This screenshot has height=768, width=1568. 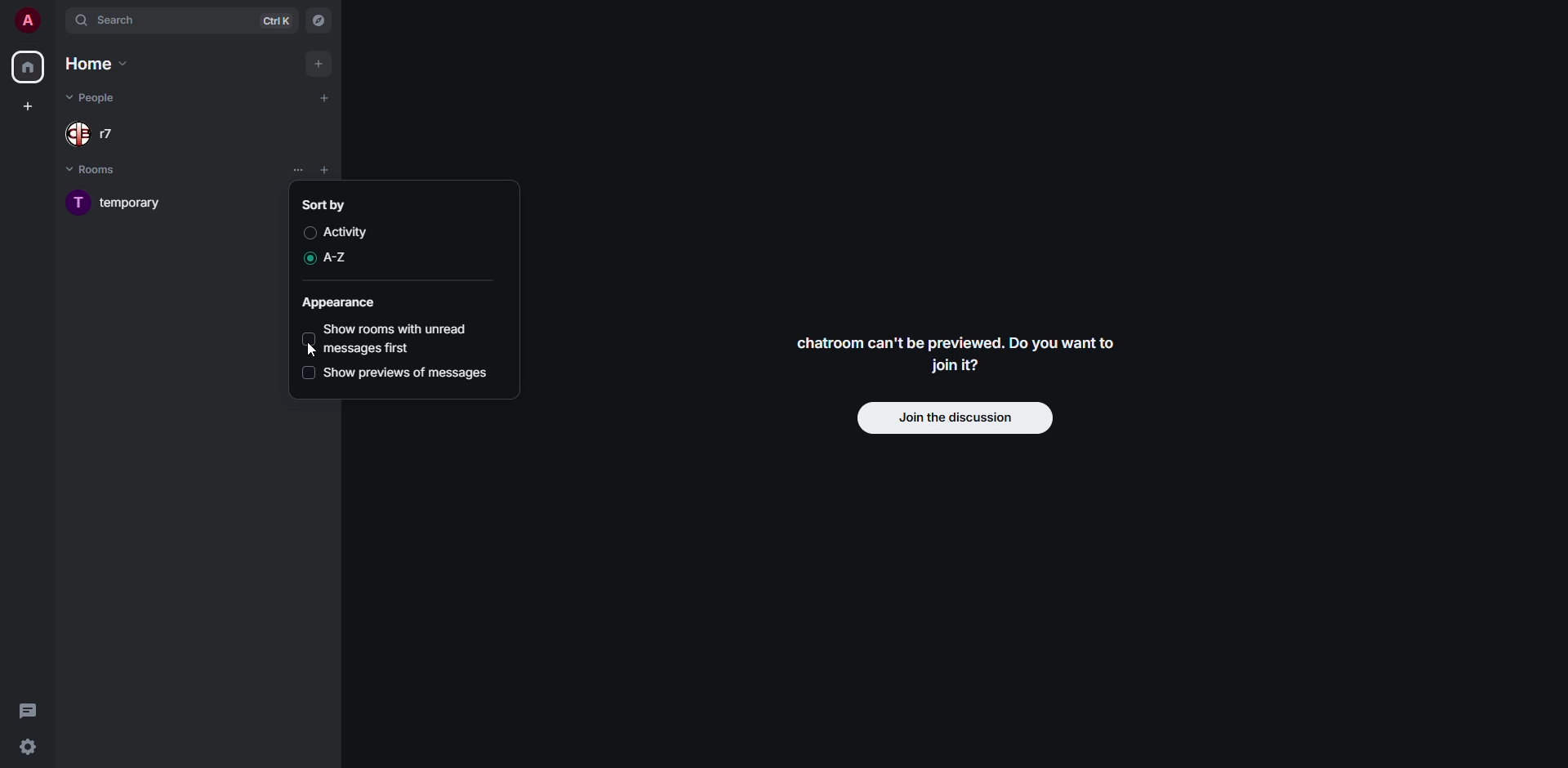 I want to click on activity, so click(x=350, y=230).